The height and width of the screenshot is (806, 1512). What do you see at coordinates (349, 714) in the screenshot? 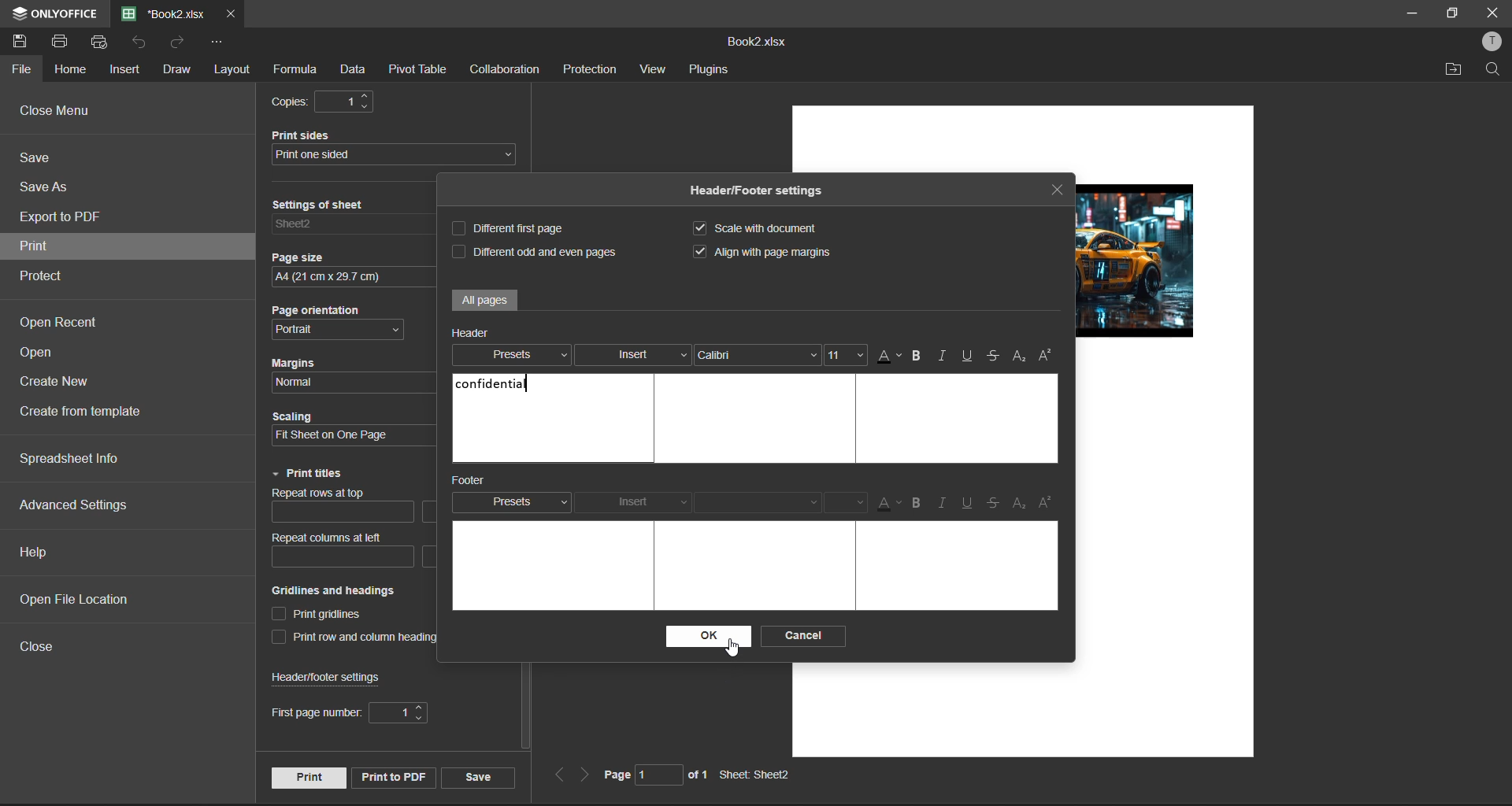
I see `first page number` at bounding box center [349, 714].